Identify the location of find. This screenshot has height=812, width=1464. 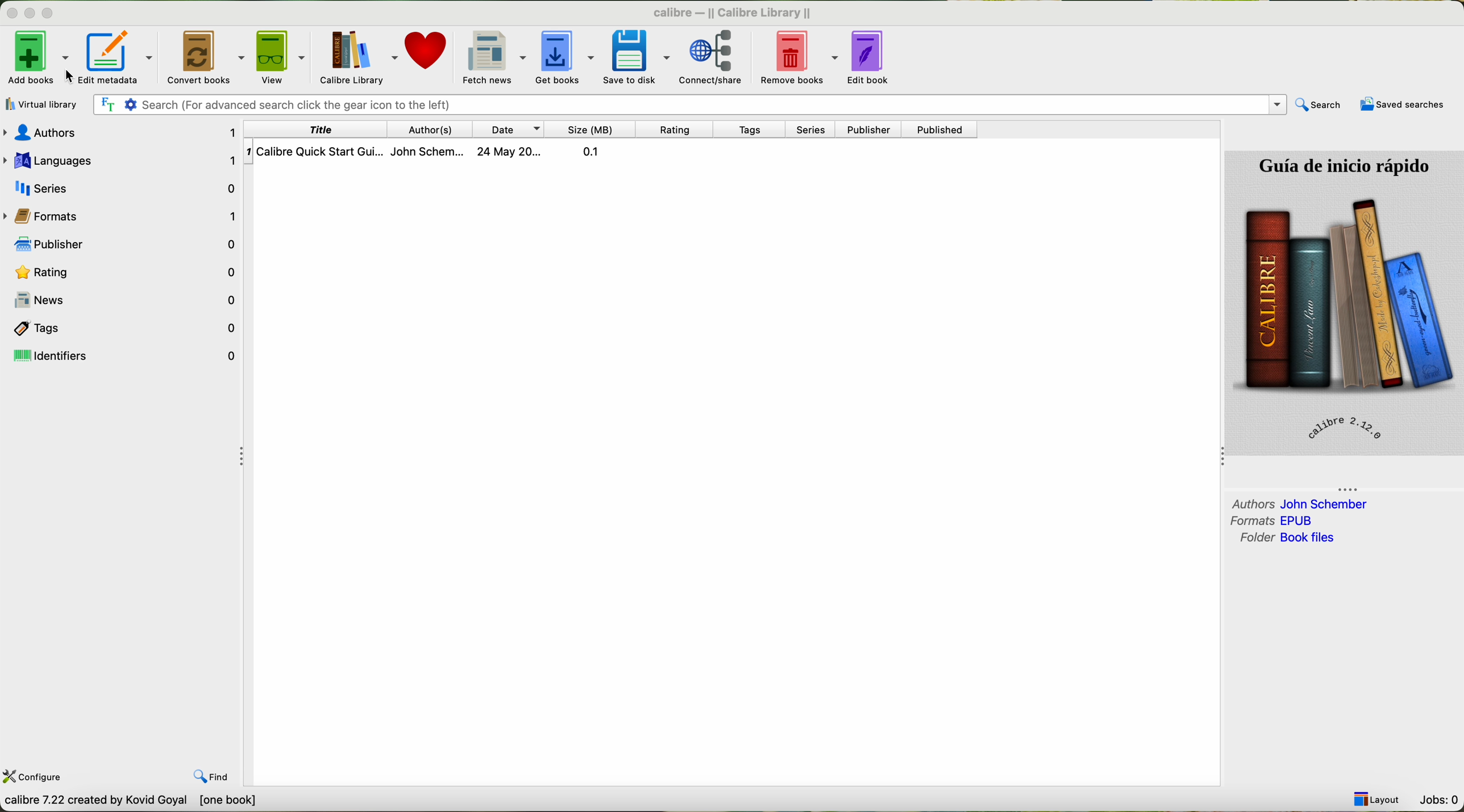
(212, 776).